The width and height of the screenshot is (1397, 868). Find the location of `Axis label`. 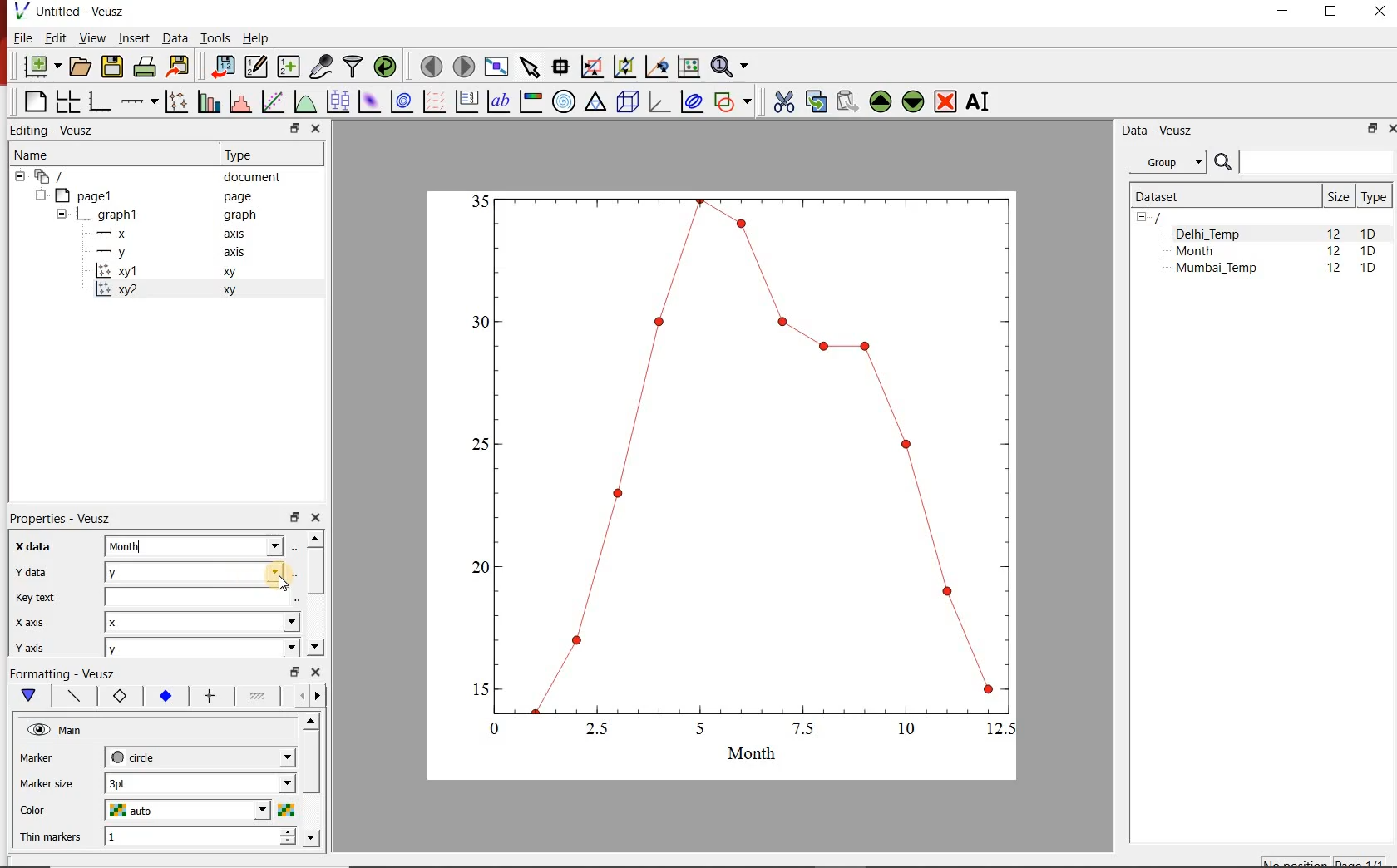

Axis label is located at coordinates (116, 696).